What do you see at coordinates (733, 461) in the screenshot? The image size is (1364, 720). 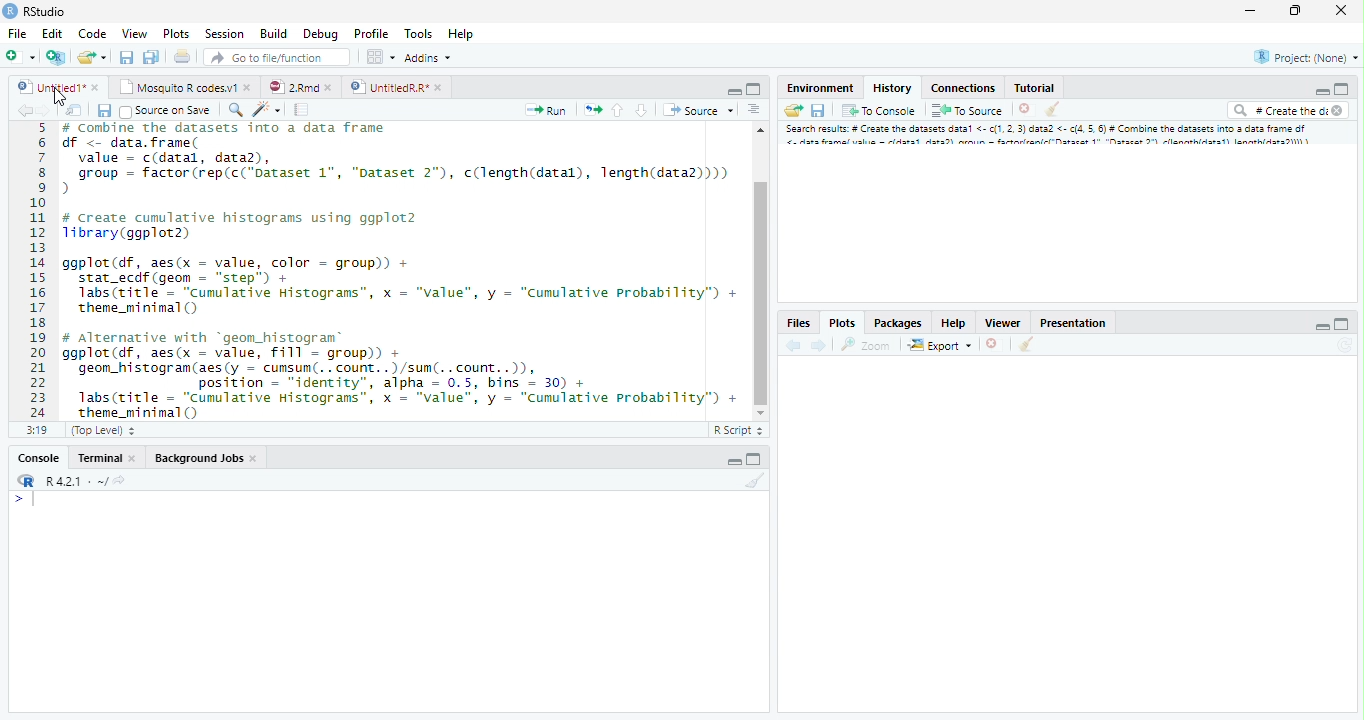 I see `Minimize` at bounding box center [733, 461].